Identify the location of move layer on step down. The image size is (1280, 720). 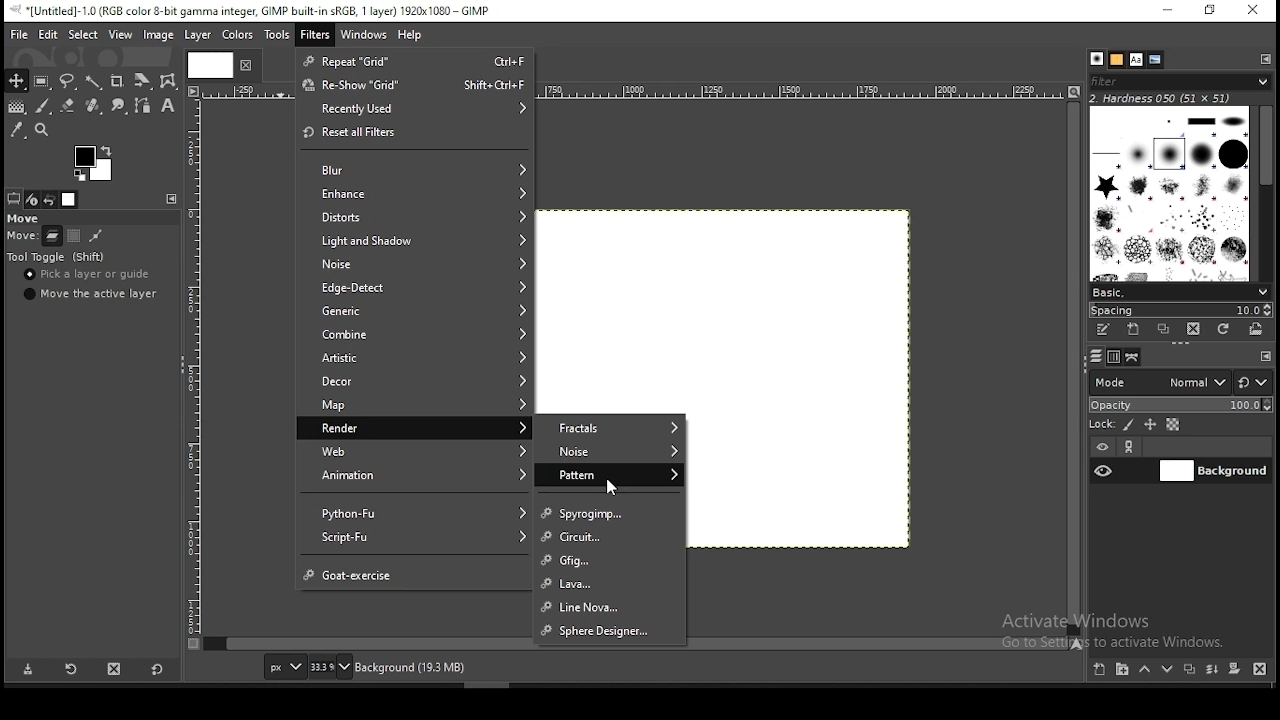
(1171, 669).